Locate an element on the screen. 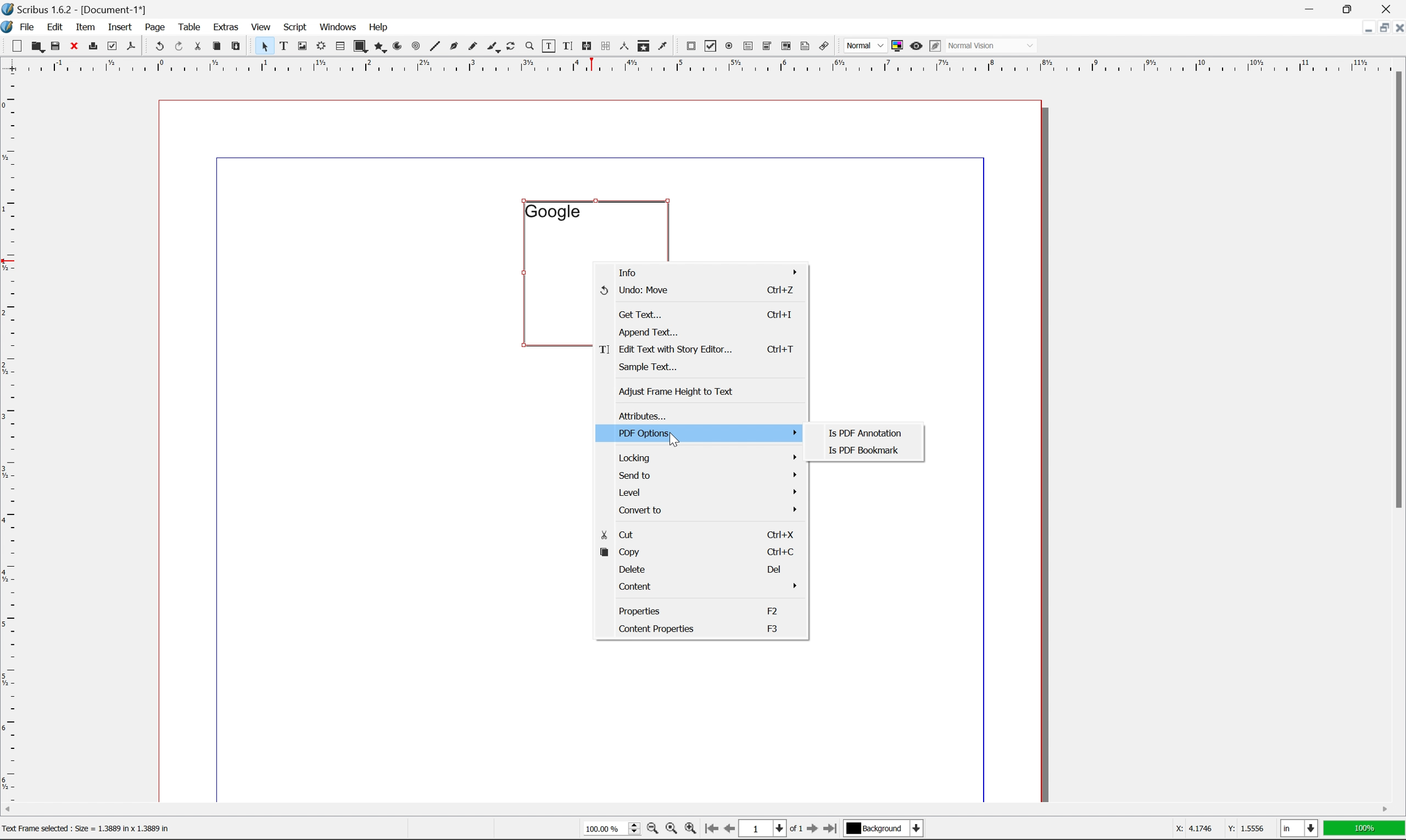 The height and width of the screenshot is (840, 1406). text frame is located at coordinates (284, 45).